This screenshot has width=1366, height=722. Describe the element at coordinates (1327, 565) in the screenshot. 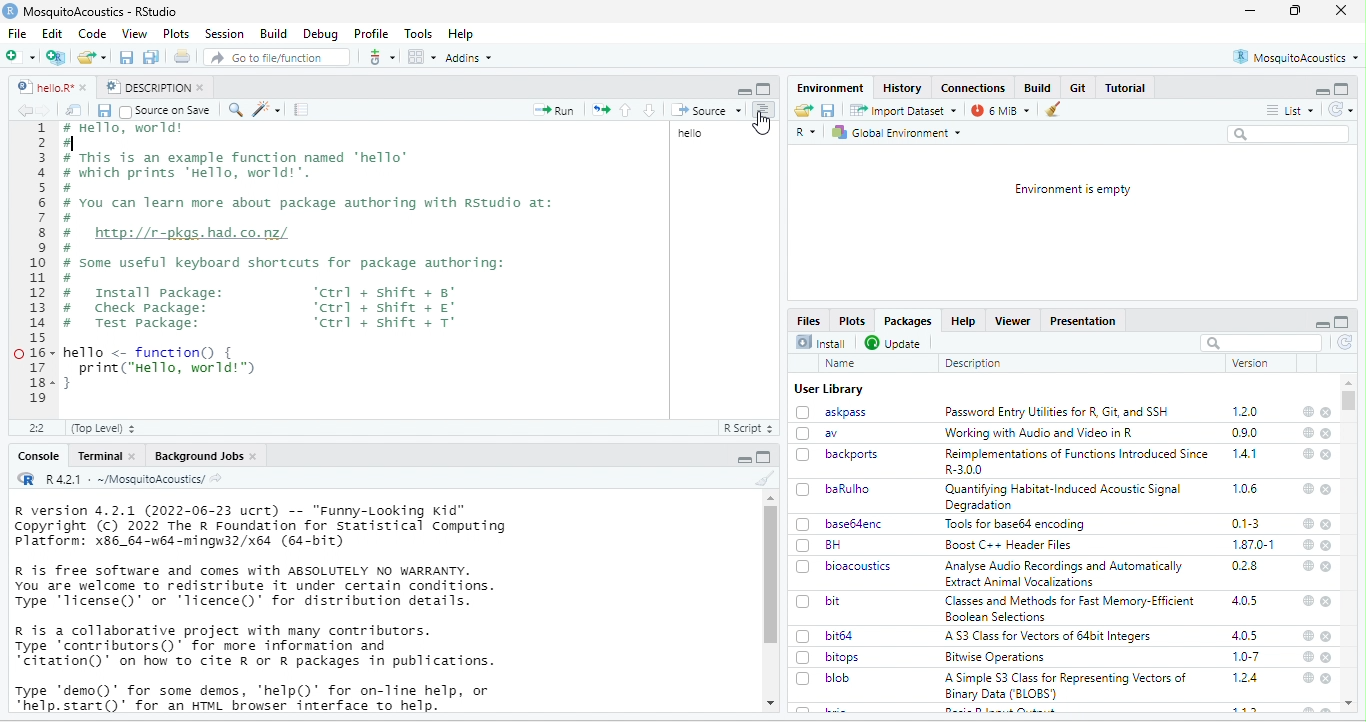

I see `close` at that location.